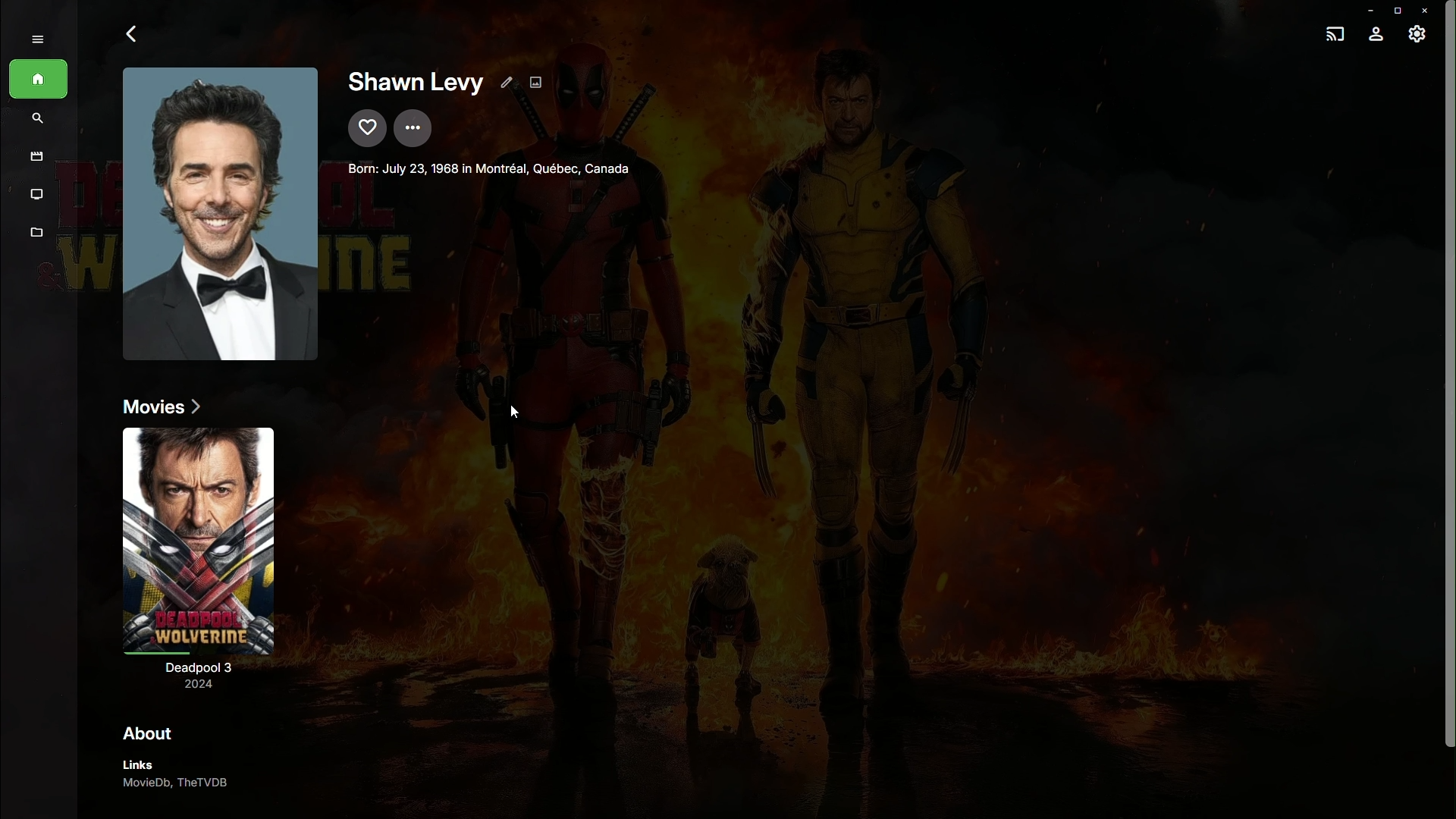 This screenshot has height=819, width=1456. I want to click on Shows, so click(34, 193).